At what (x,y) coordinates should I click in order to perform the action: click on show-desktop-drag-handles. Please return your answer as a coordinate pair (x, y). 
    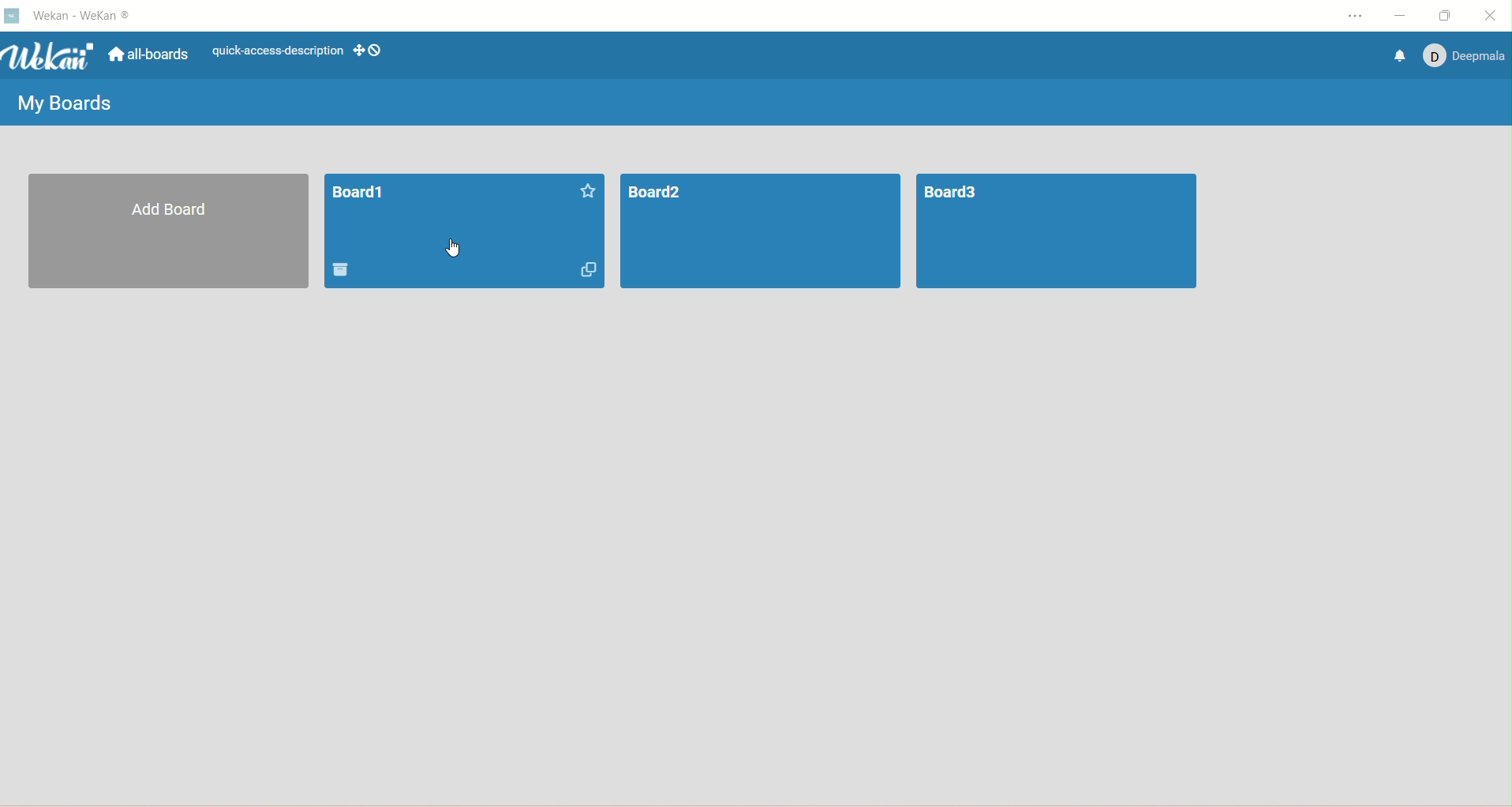
    Looking at the image, I should click on (367, 52).